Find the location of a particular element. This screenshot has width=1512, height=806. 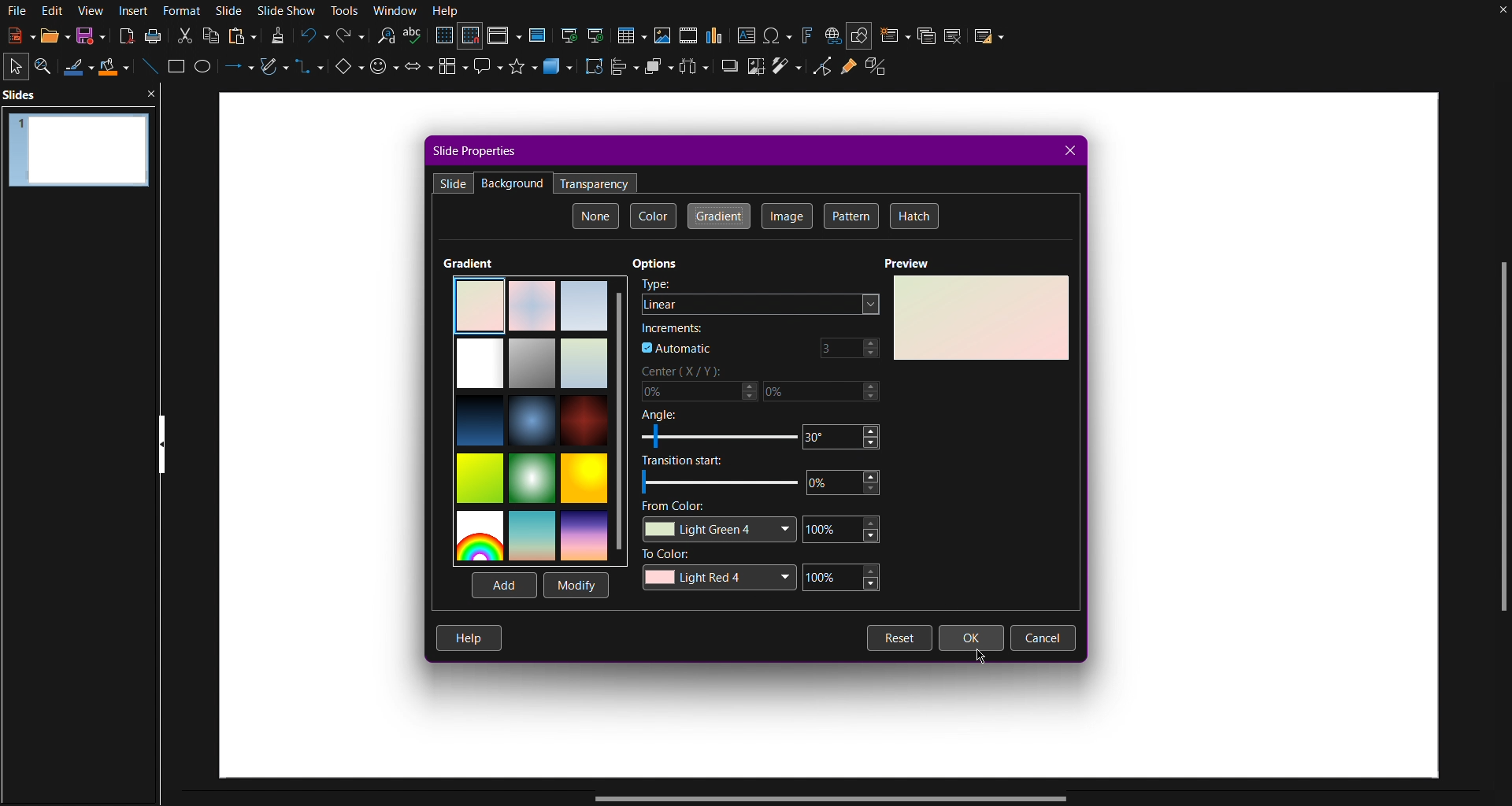

Backgrounds is located at coordinates (513, 183).